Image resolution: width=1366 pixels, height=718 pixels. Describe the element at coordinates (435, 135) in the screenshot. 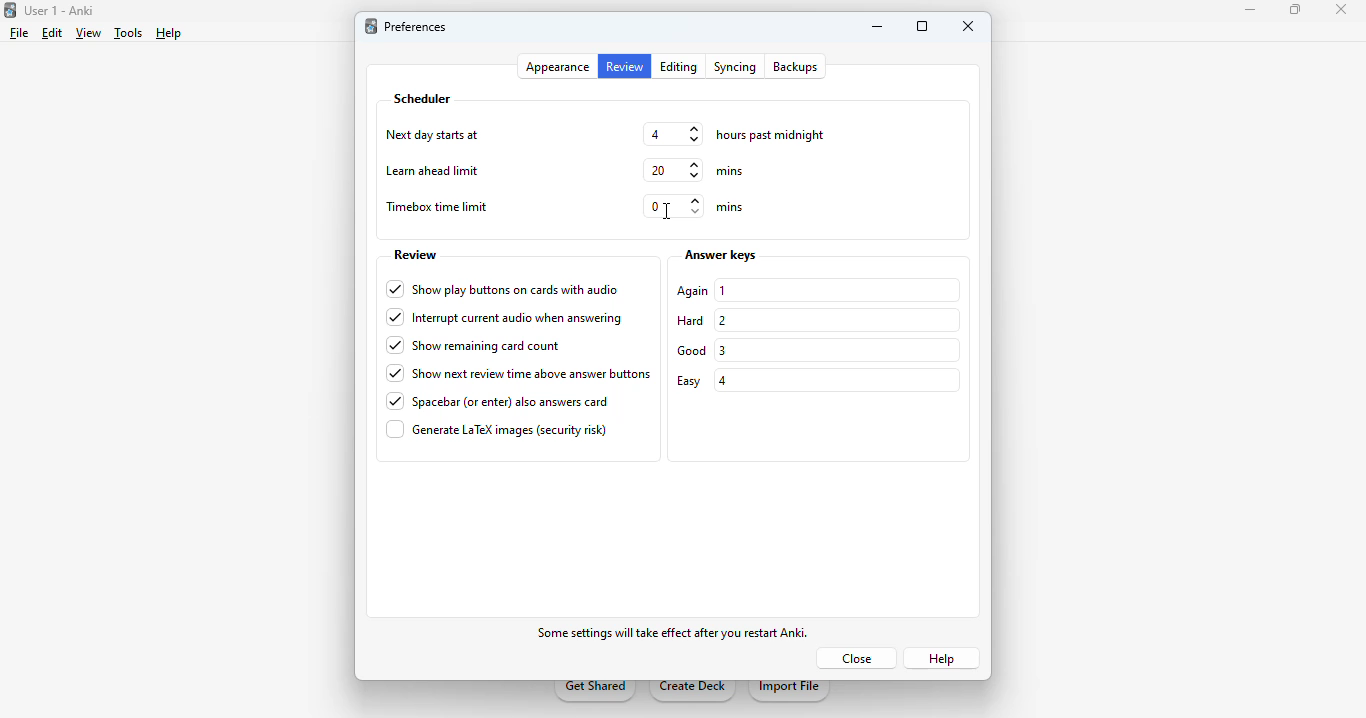

I see `next day starts at` at that location.